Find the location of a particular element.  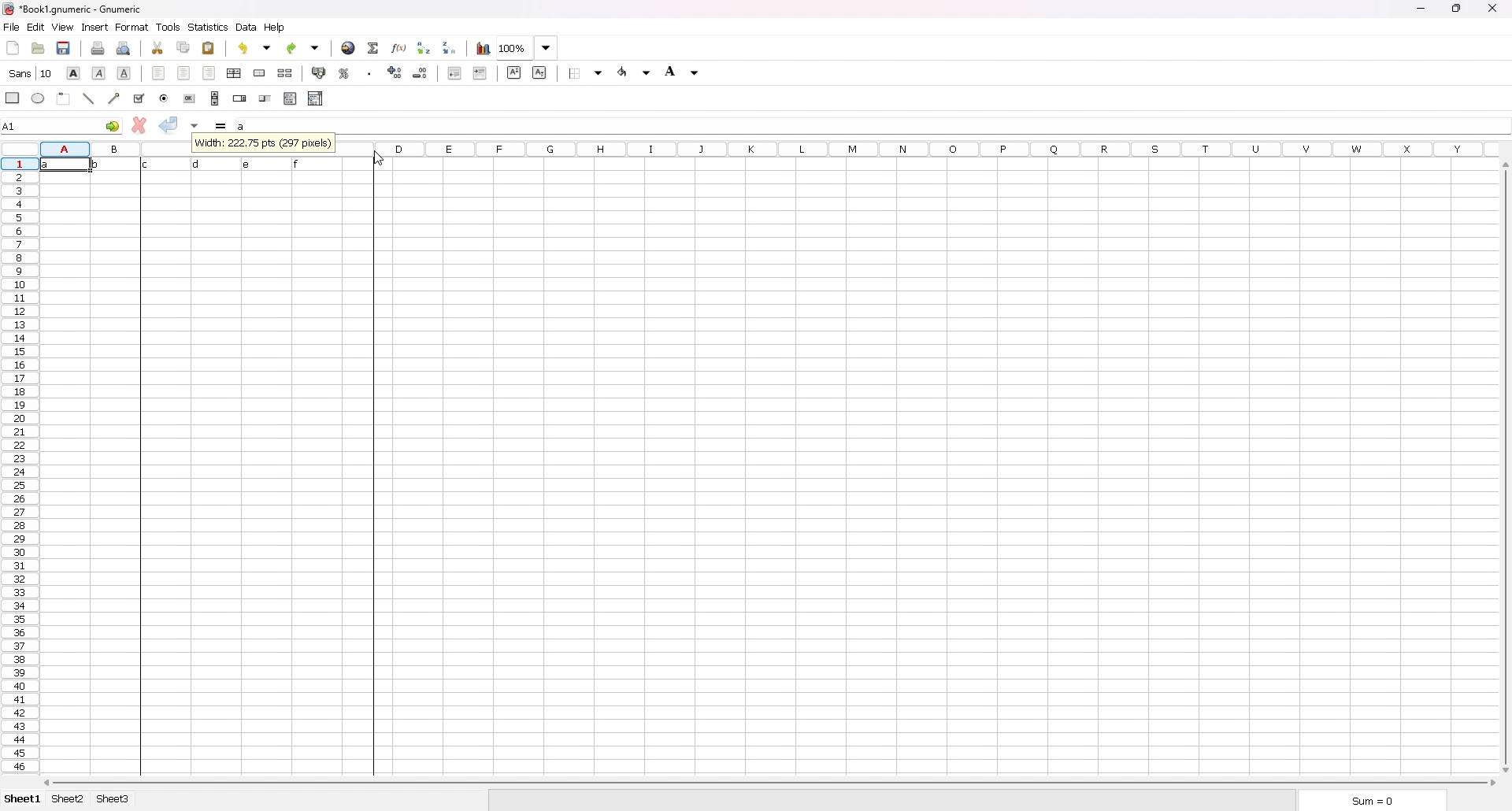

border is located at coordinates (587, 72).